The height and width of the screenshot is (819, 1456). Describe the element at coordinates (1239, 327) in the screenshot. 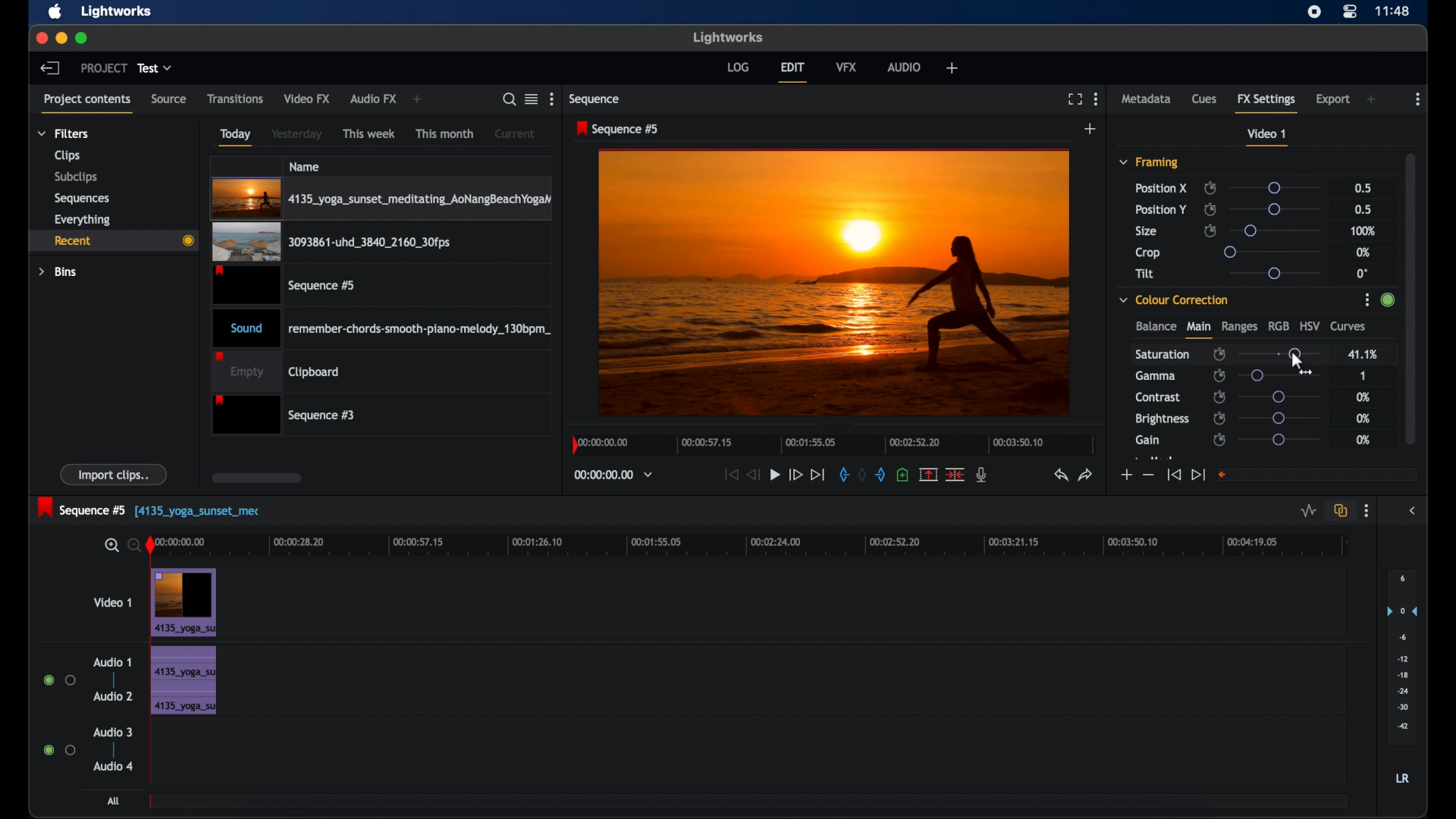

I see `ranges` at that location.